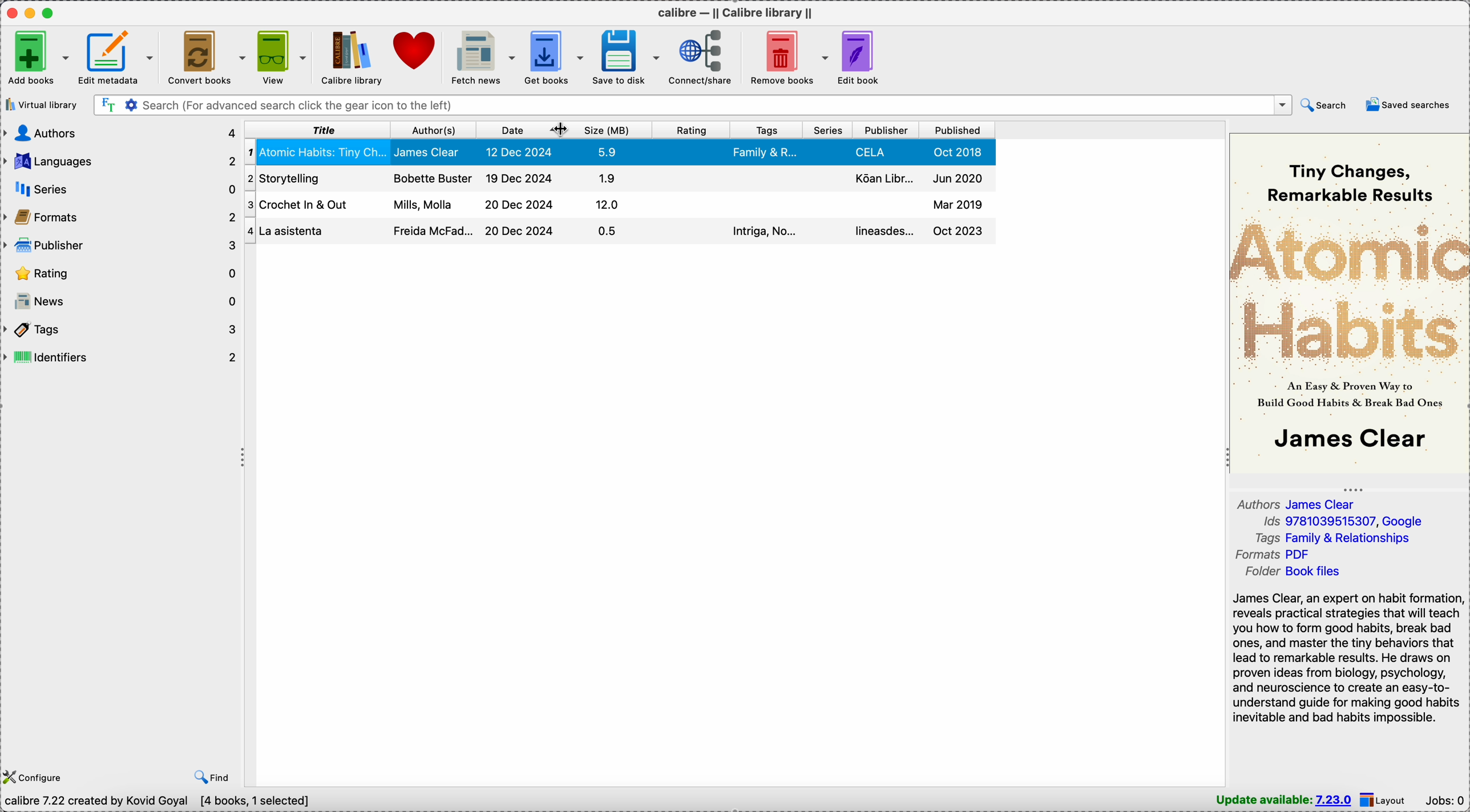 The image size is (1470, 812). What do you see at coordinates (122, 159) in the screenshot?
I see `languages` at bounding box center [122, 159].